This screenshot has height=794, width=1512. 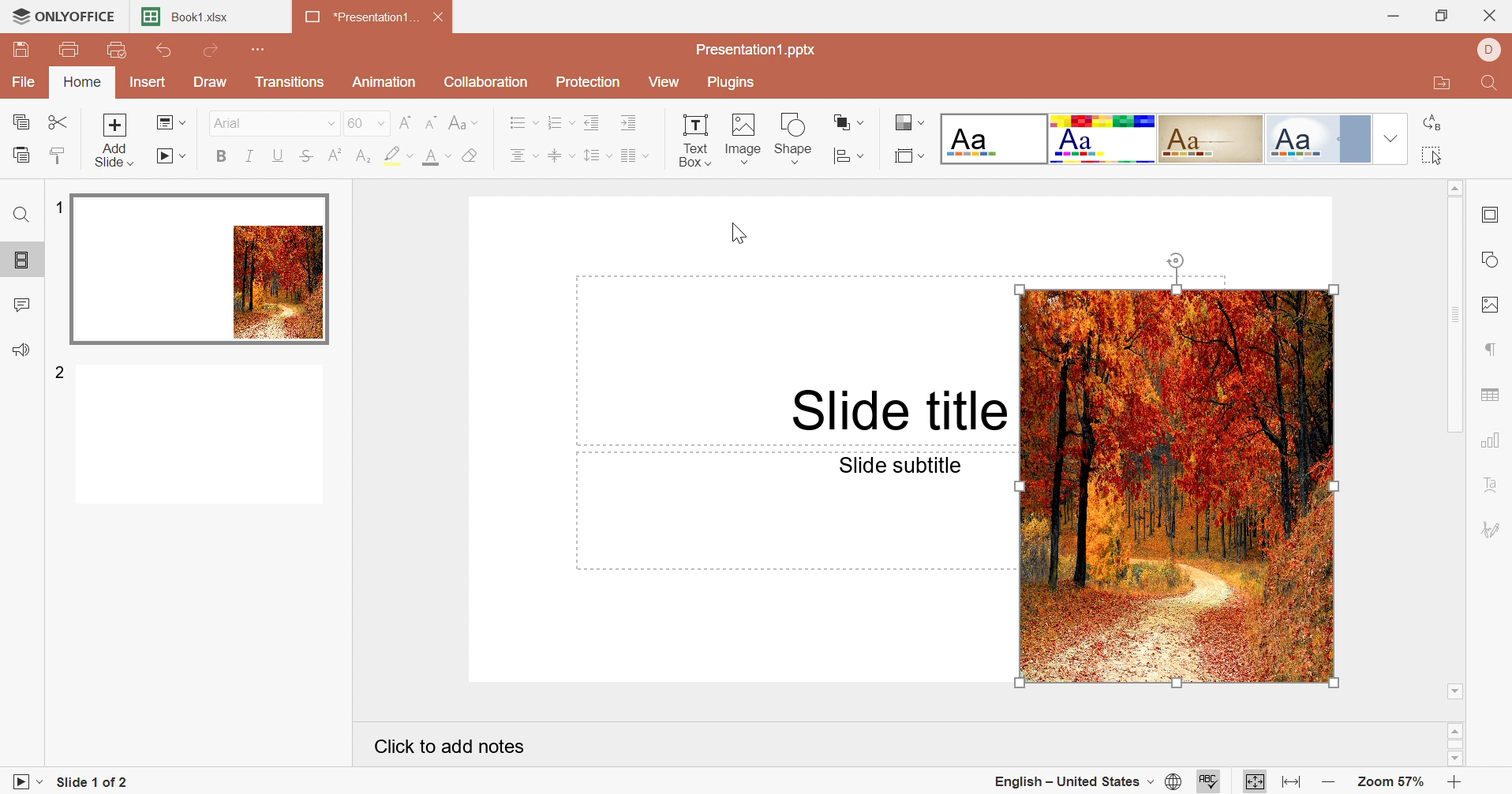 I want to click on Find, so click(x=1490, y=88).